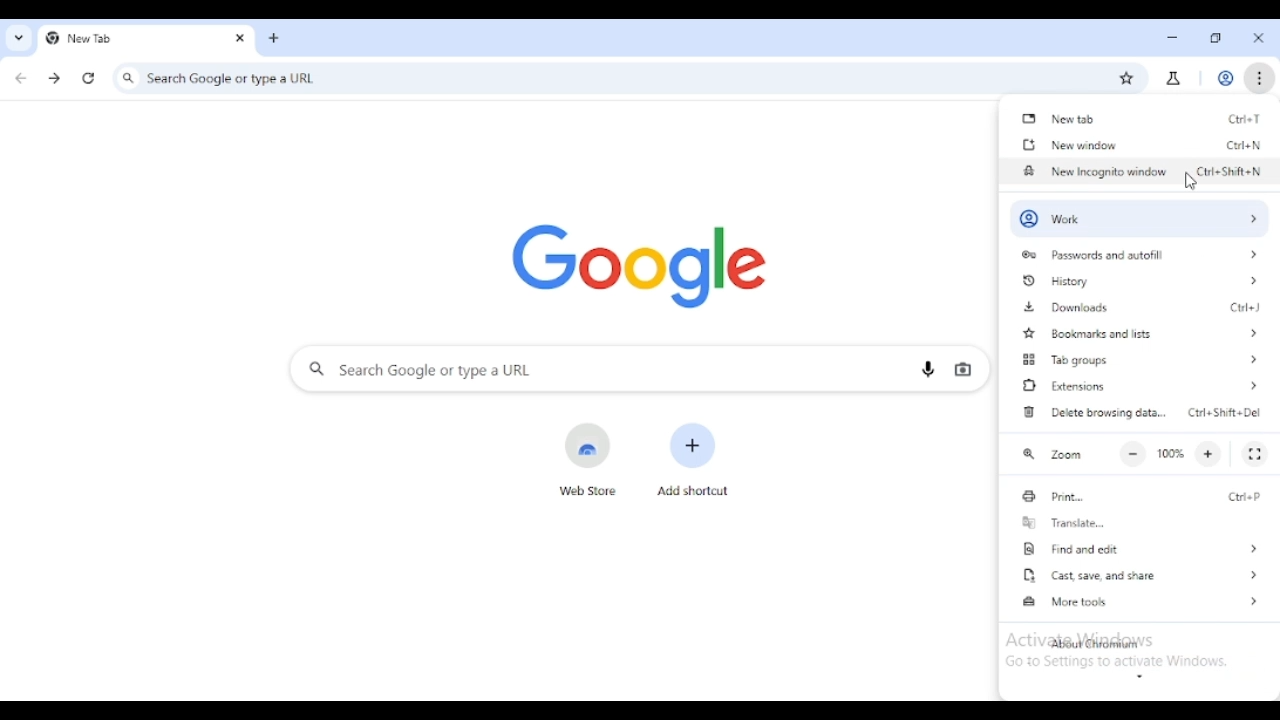  What do you see at coordinates (928, 368) in the screenshot?
I see `search by voice` at bounding box center [928, 368].